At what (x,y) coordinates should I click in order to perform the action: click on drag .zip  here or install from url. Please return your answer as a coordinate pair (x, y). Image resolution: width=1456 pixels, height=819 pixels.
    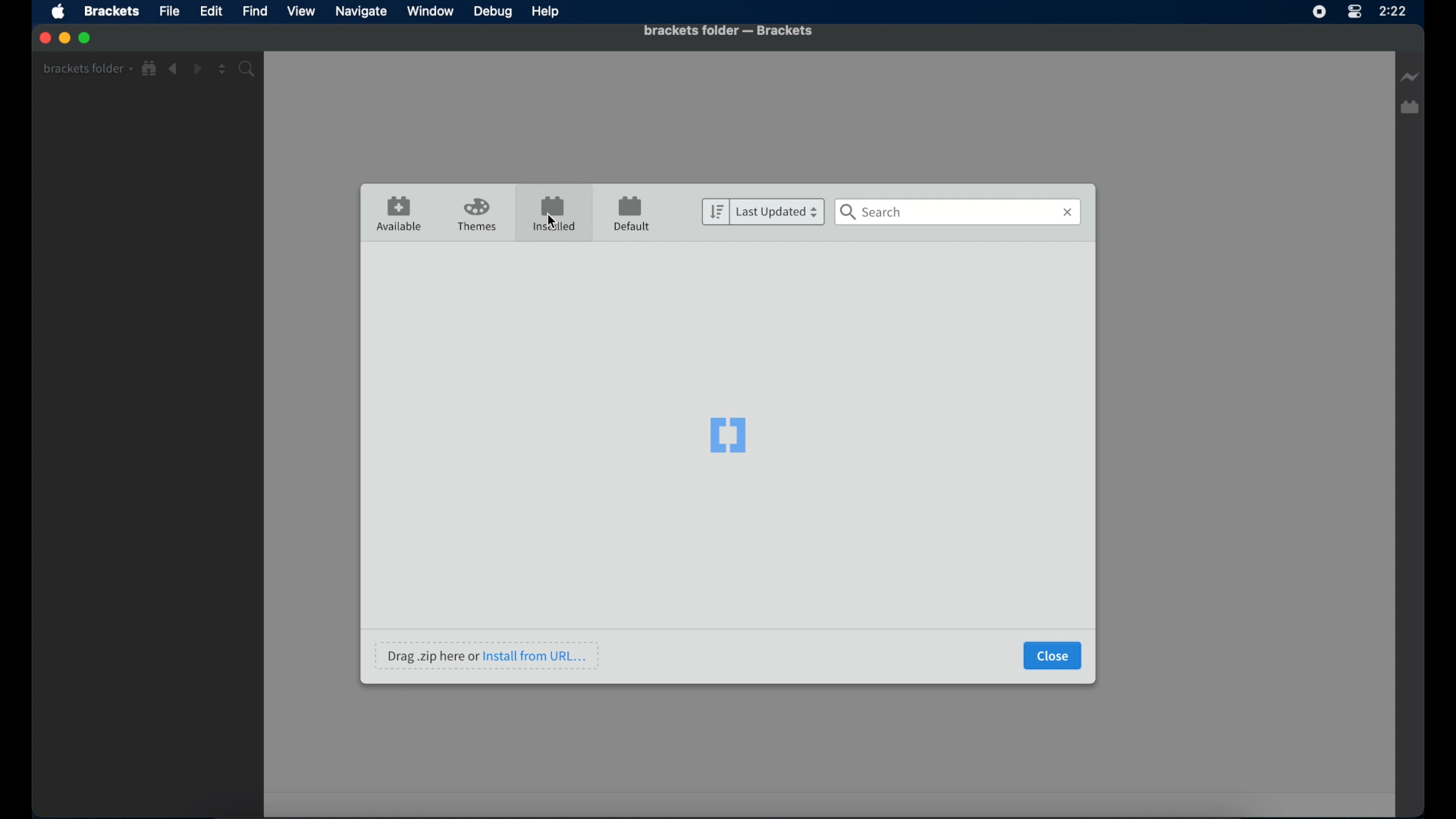
    Looking at the image, I should click on (488, 655).